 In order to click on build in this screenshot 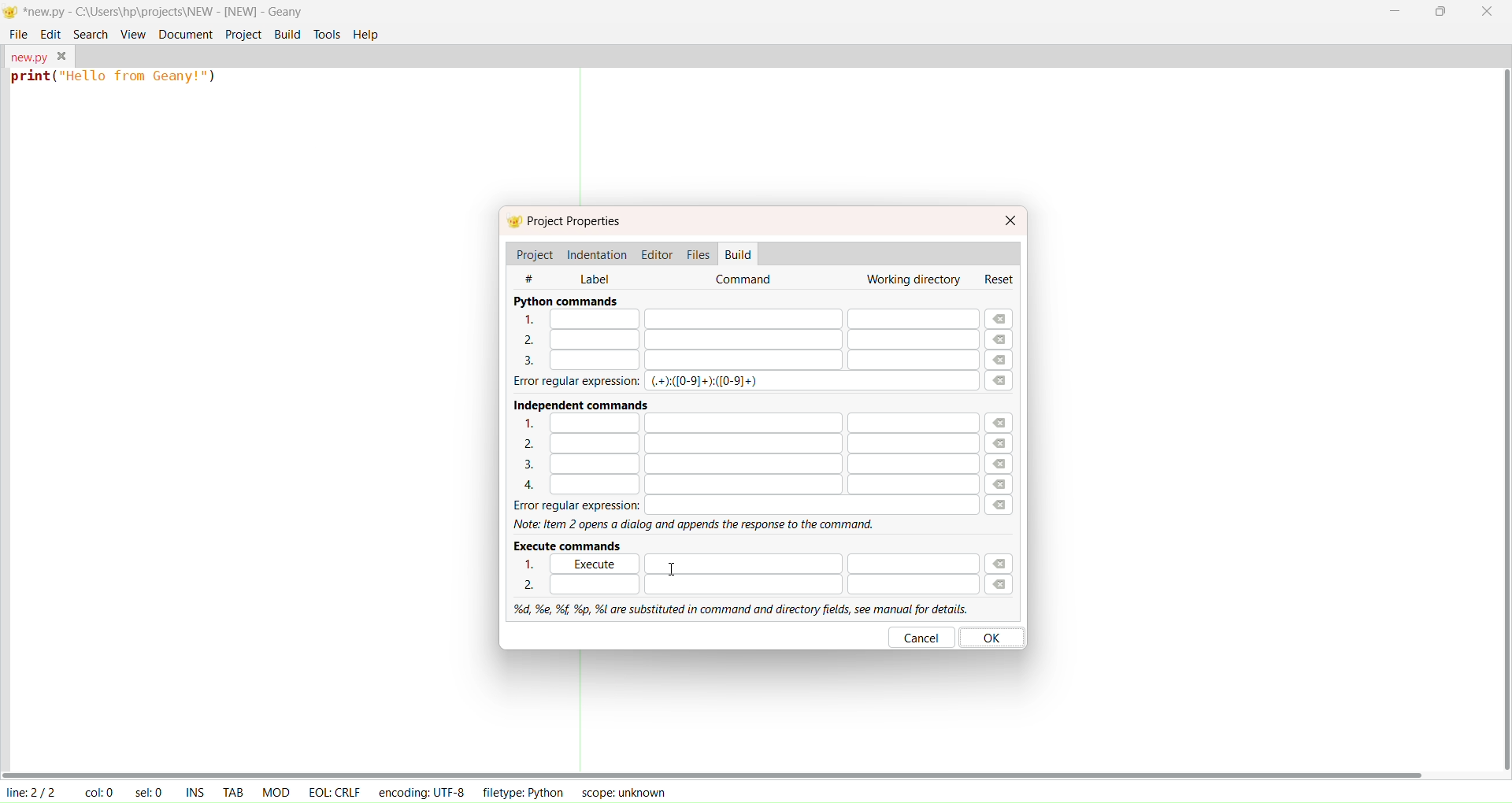, I will do `click(739, 254)`.